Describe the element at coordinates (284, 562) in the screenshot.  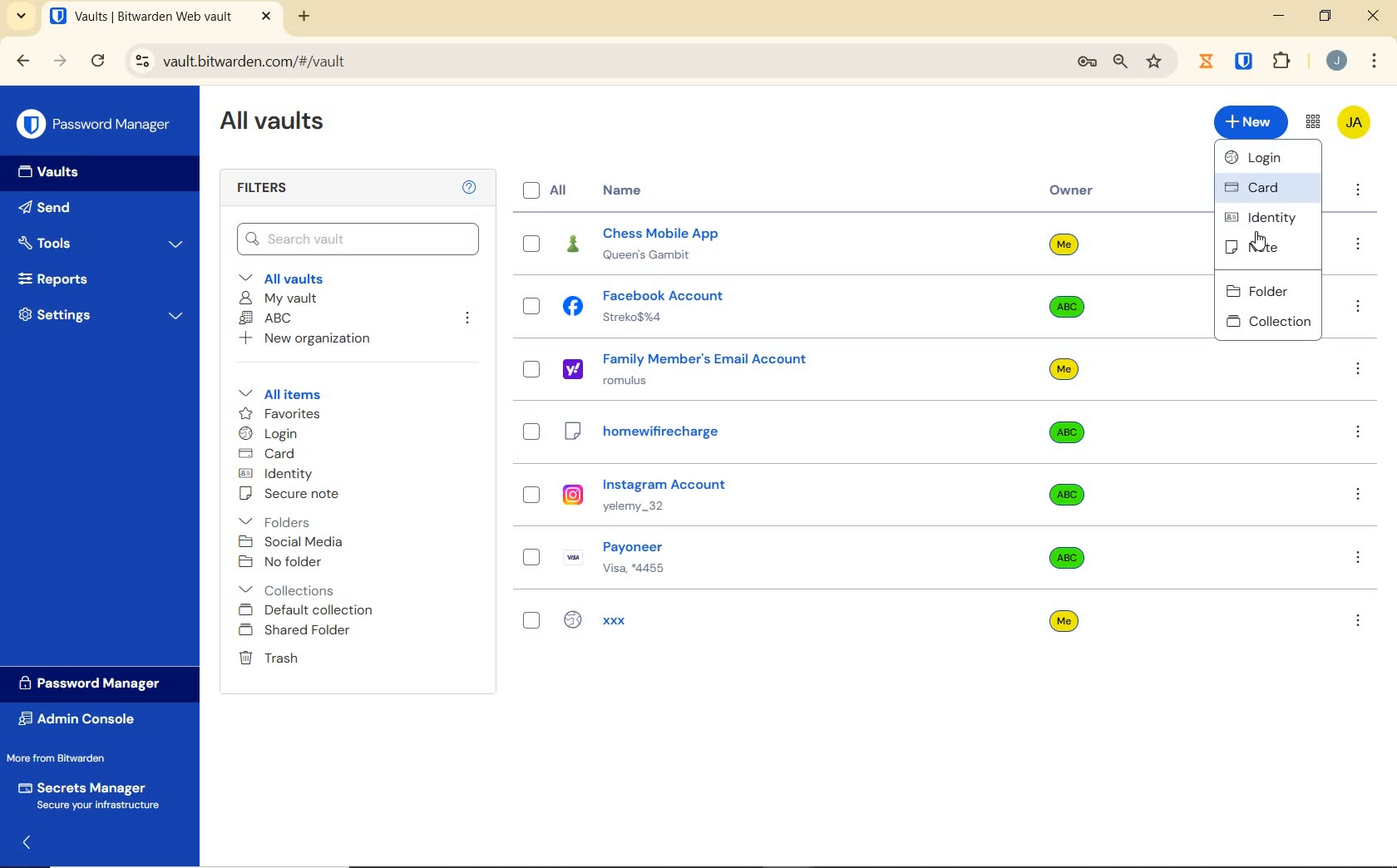
I see `No folder` at that location.